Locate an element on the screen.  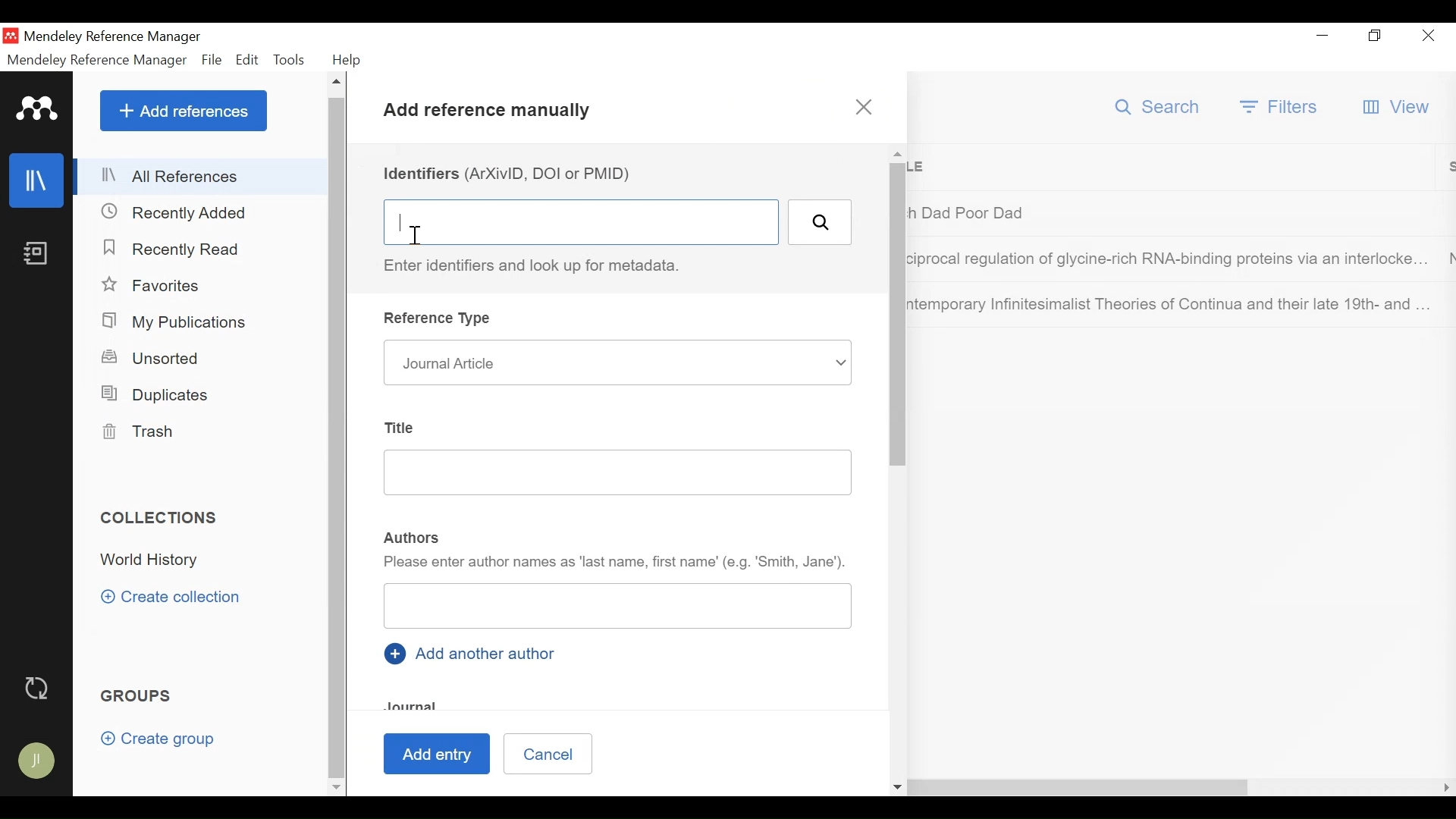
Search is located at coordinates (820, 221).